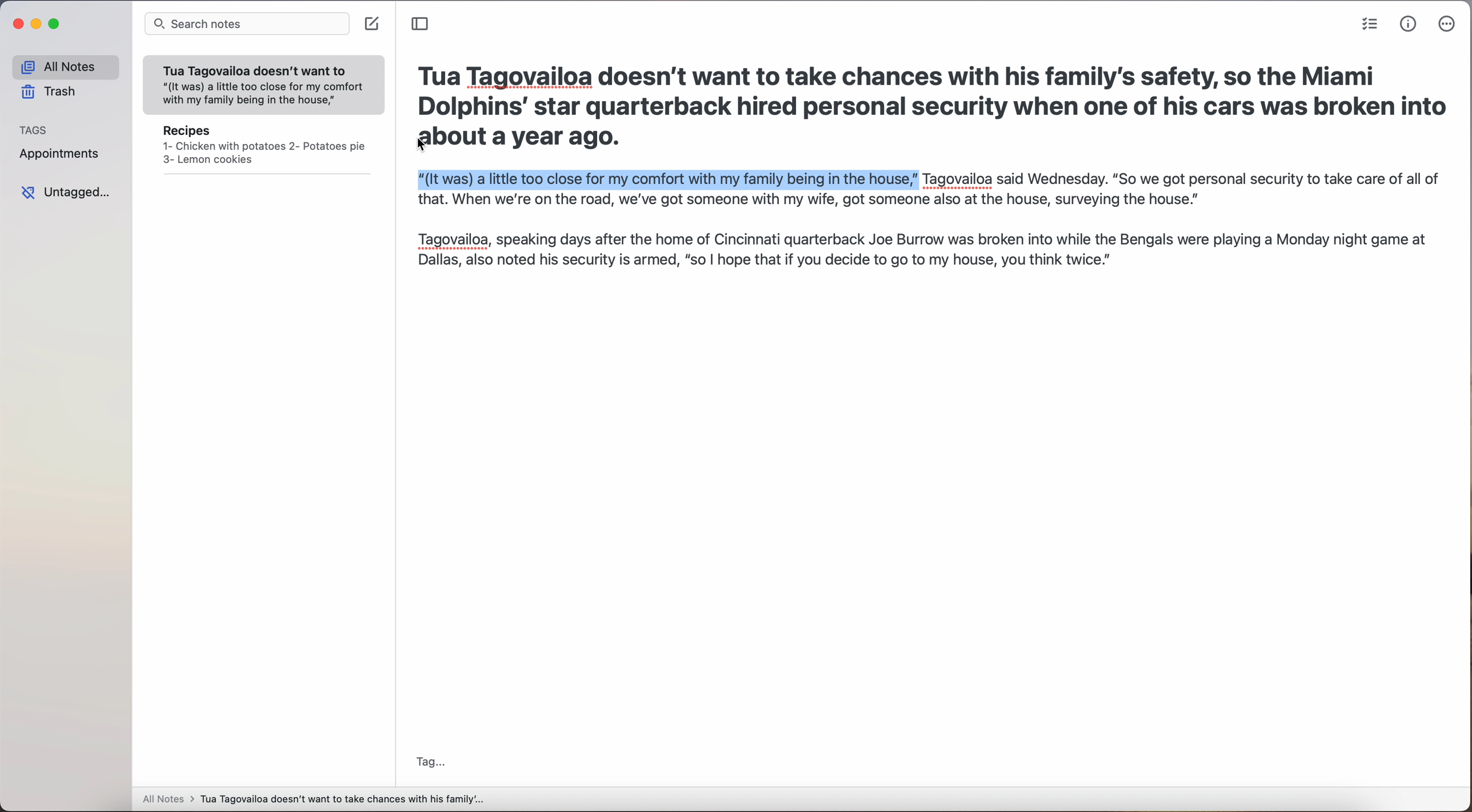  Describe the element at coordinates (264, 86) in the screenshot. I see `Tua Tagovailoa doesn't want to note` at that location.